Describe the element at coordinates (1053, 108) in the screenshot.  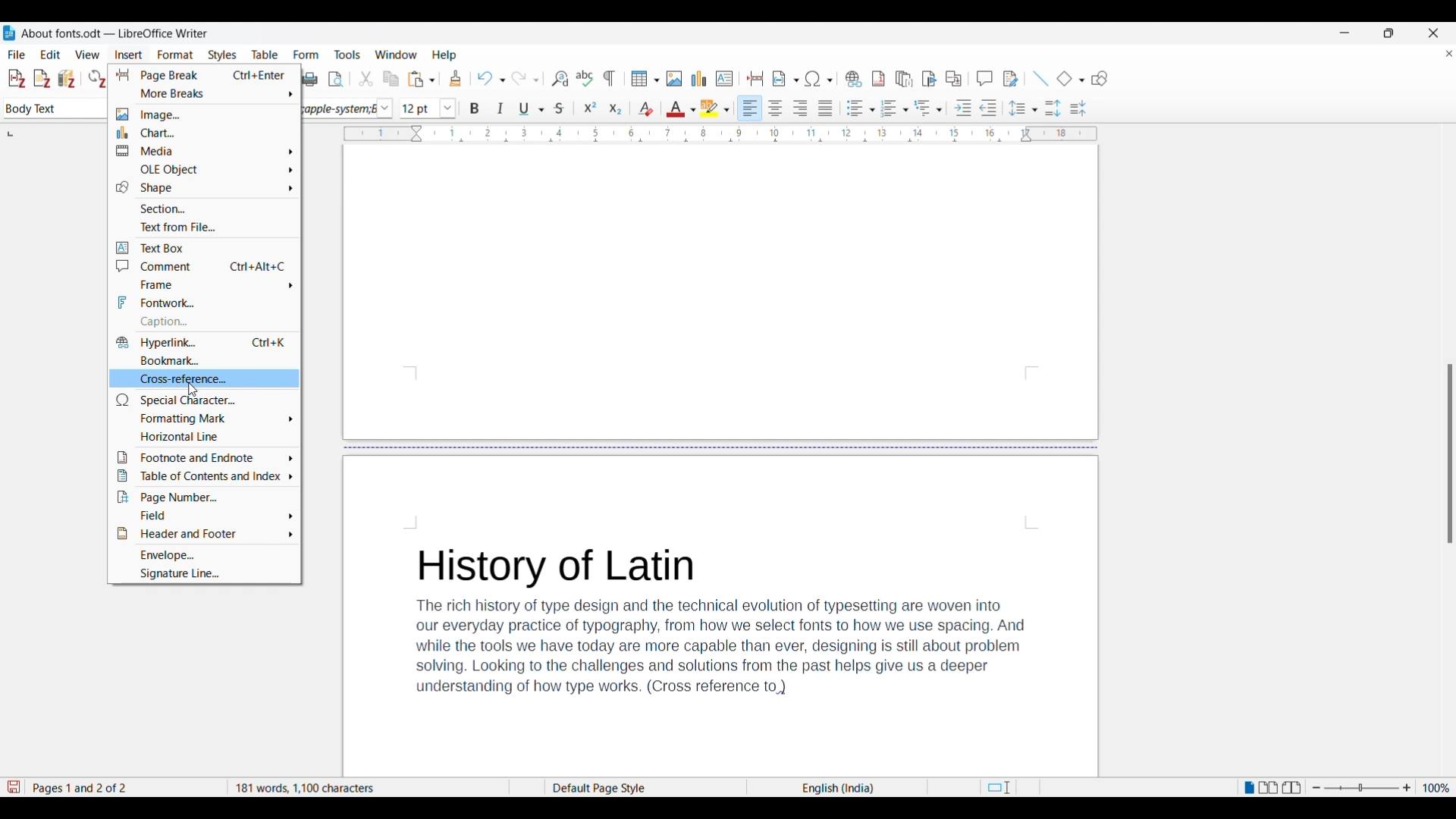
I see `Increase paragraph spacing` at that location.